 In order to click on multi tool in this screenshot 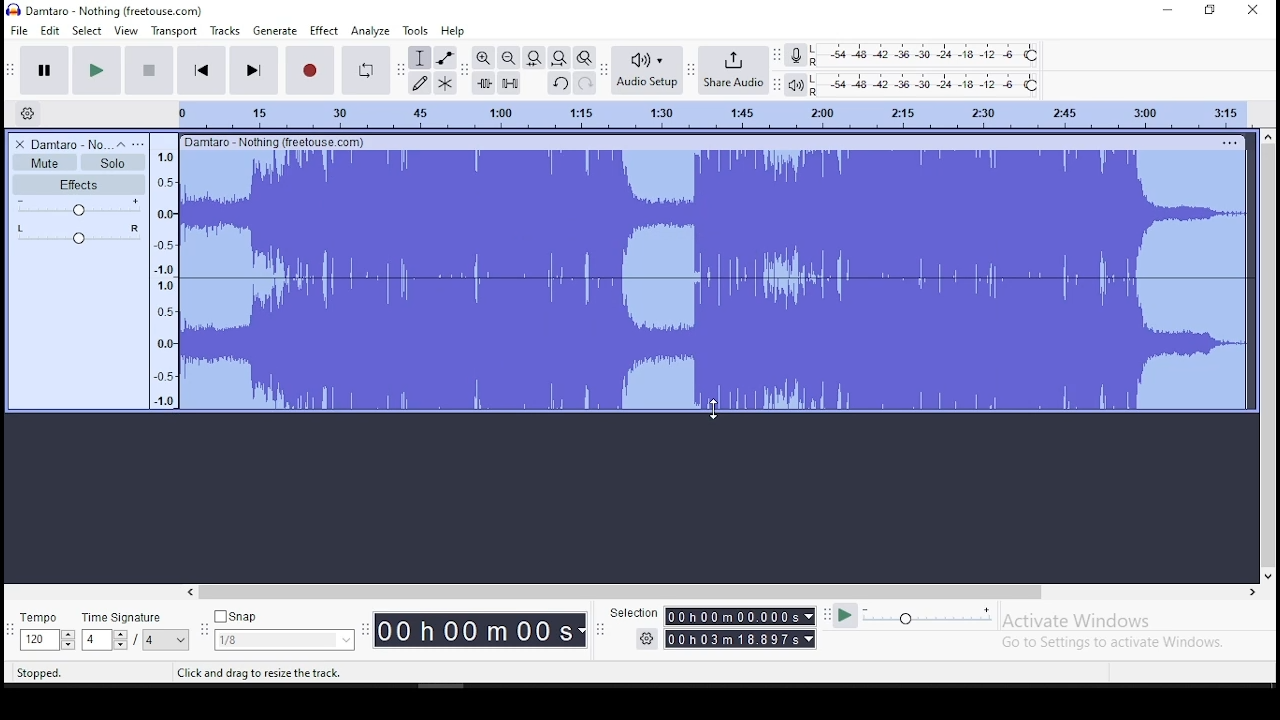, I will do `click(444, 83)`.